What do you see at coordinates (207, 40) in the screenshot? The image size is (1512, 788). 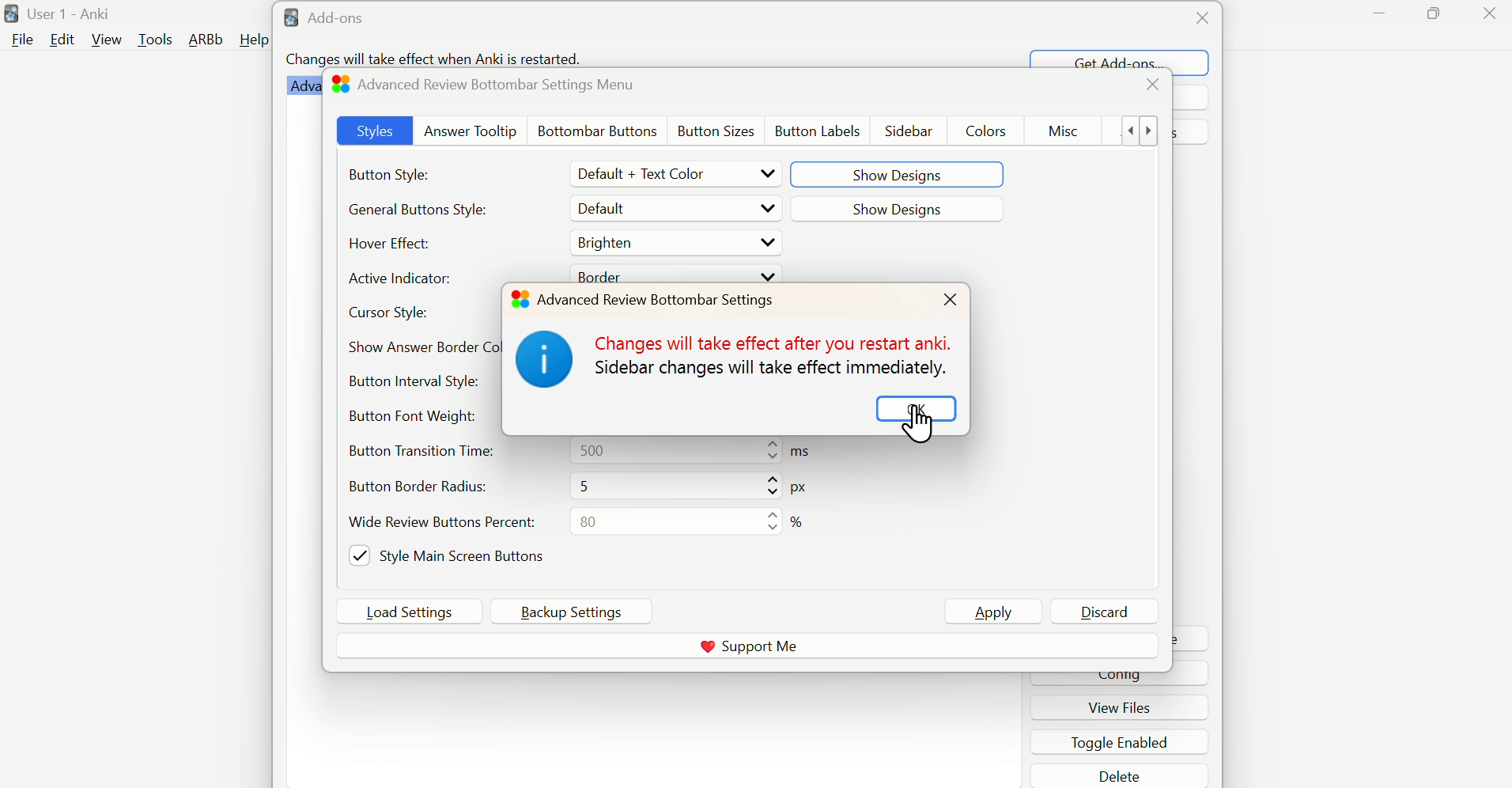 I see `ARBb` at bounding box center [207, 40].